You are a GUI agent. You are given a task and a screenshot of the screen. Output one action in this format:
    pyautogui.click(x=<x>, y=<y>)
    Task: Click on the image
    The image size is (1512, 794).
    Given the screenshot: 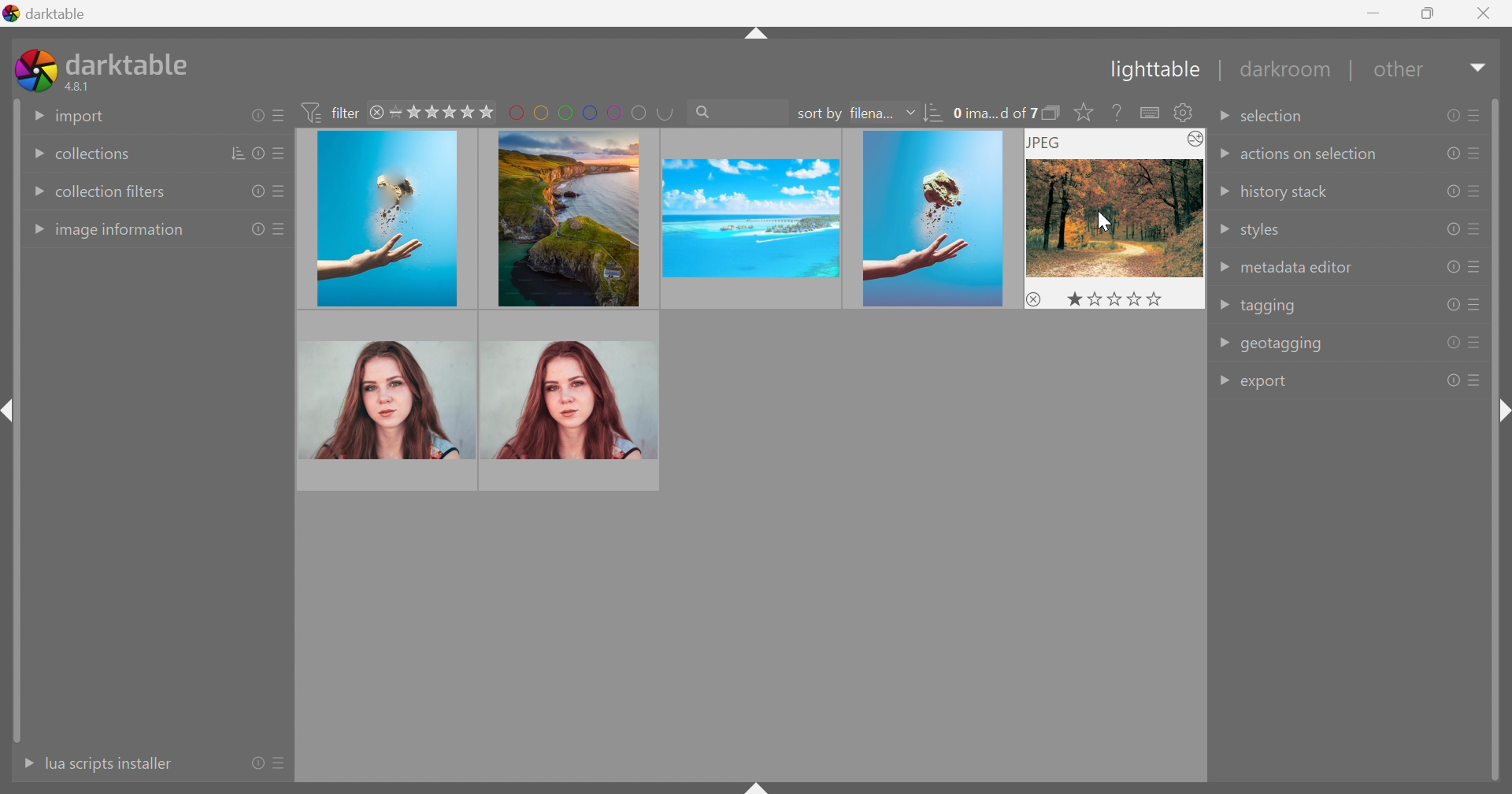 What is the action you would take?
    pyautogui.click(x=571, y=399)
    